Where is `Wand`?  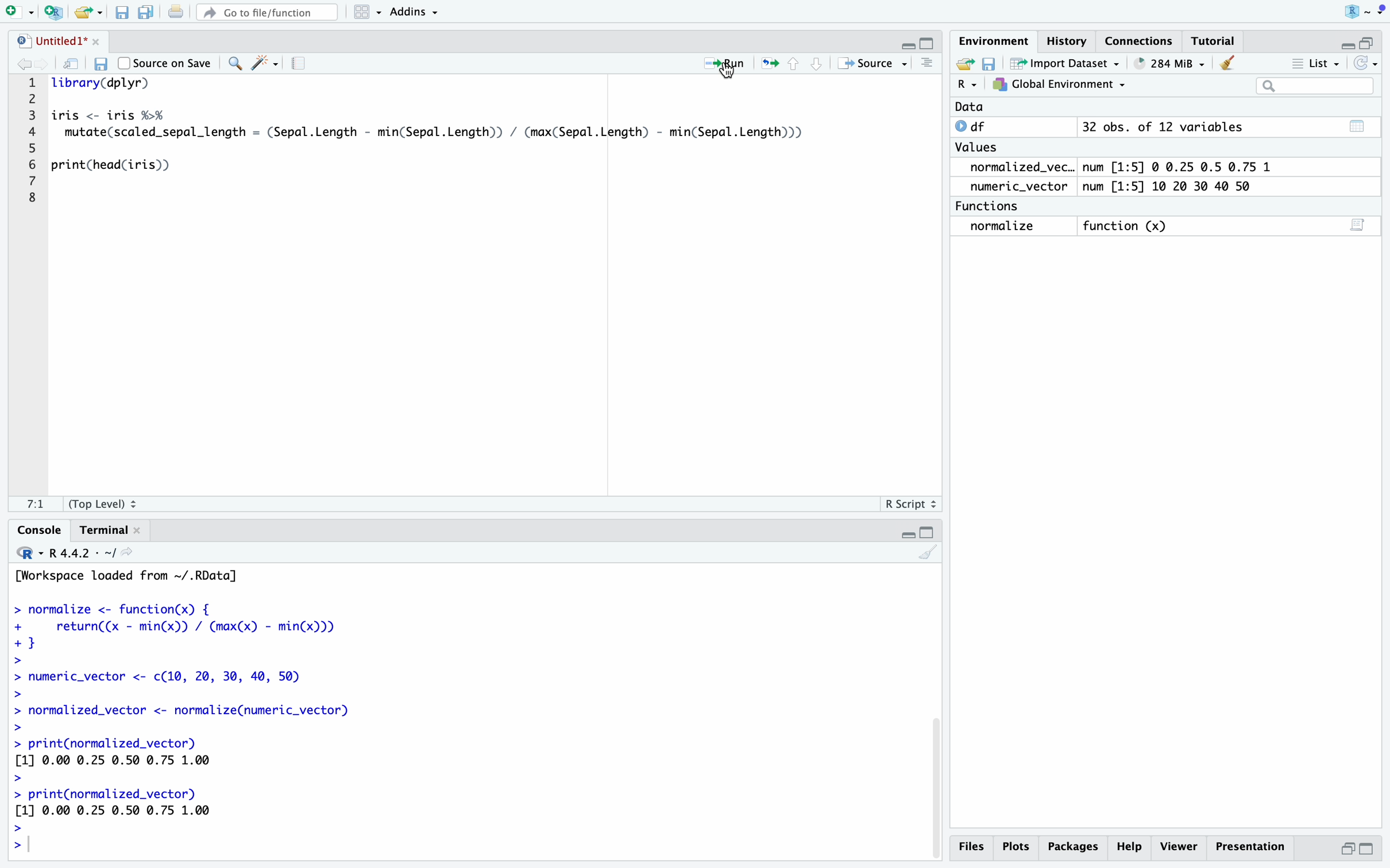
Wand is located at coordinates (263, 62).